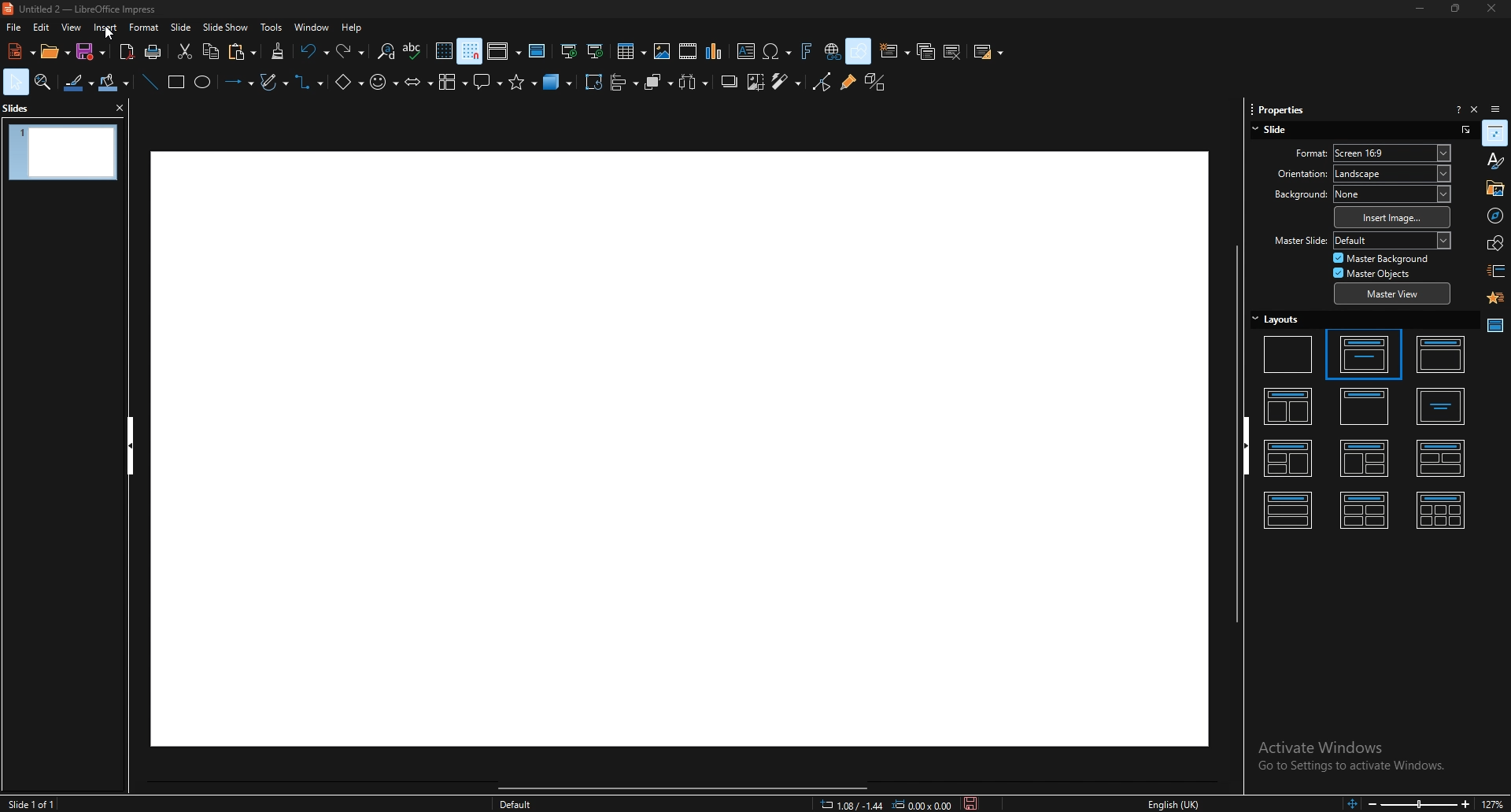 The width and height of the screenshot is (1511, 812). I want to click on display grid, so click(444, 51).